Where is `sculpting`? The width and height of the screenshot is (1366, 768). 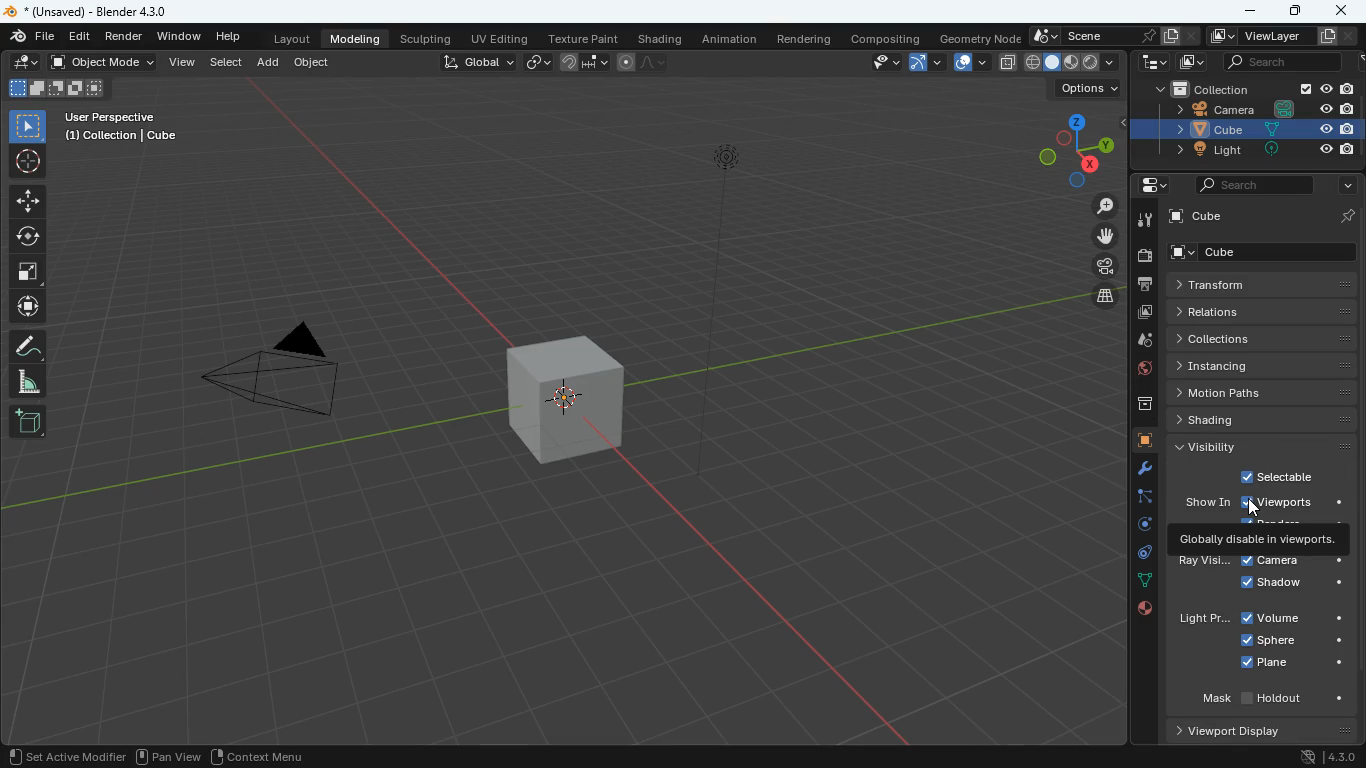 sculpting is located at coordinates (426, 38).